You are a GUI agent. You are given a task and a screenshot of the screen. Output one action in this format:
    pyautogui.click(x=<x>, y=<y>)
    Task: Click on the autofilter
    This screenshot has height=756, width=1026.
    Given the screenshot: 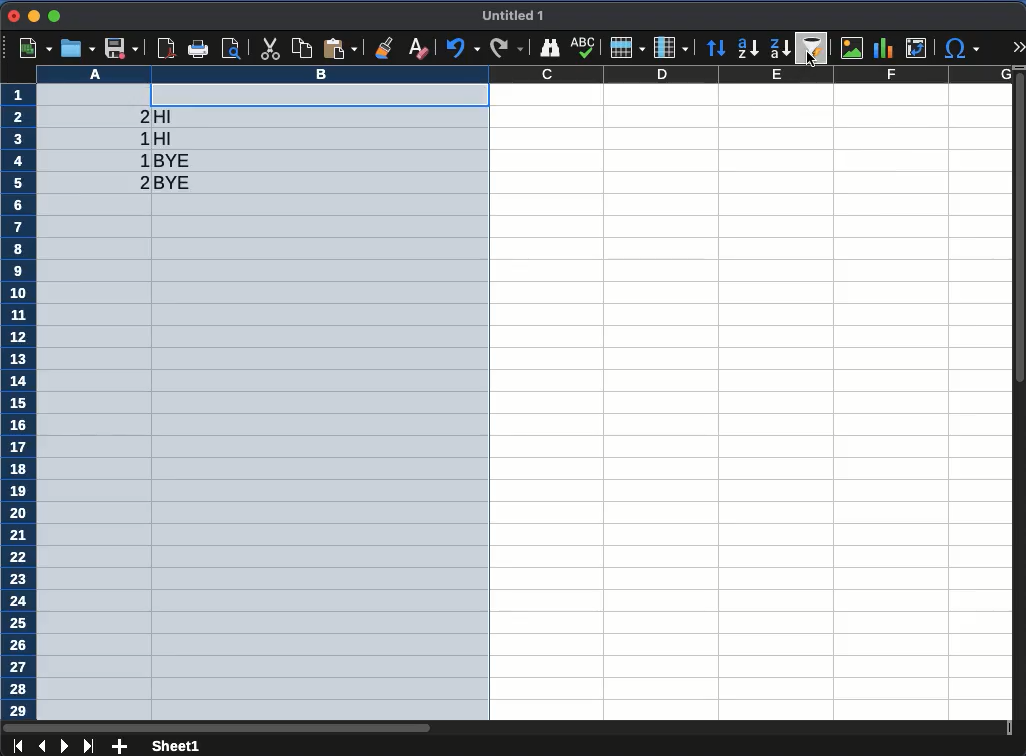 What is the action you would take?
    pyautogui.click(x=810, y=48)
    